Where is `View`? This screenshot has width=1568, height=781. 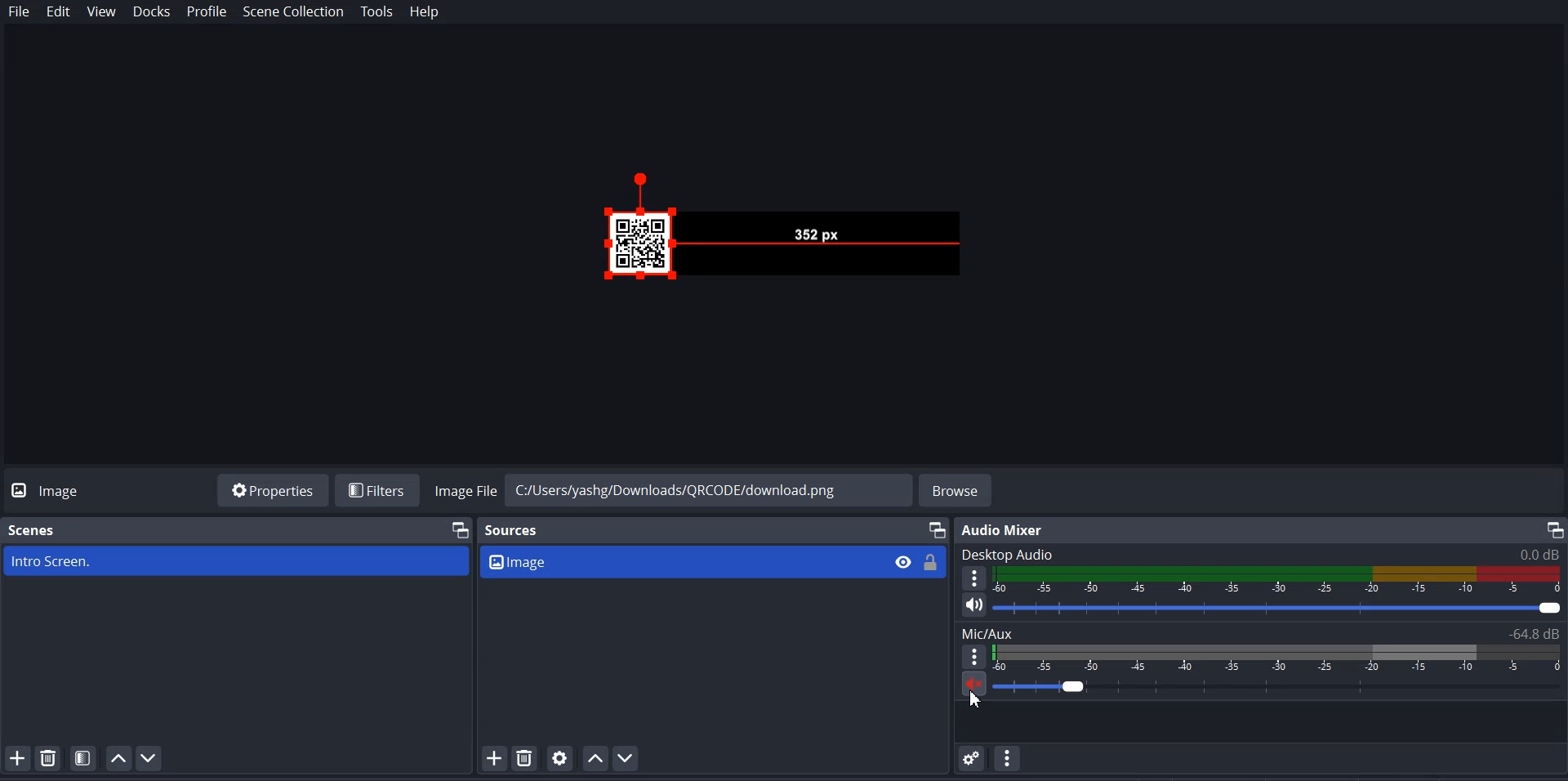
View is located at coordinates (101, 11).